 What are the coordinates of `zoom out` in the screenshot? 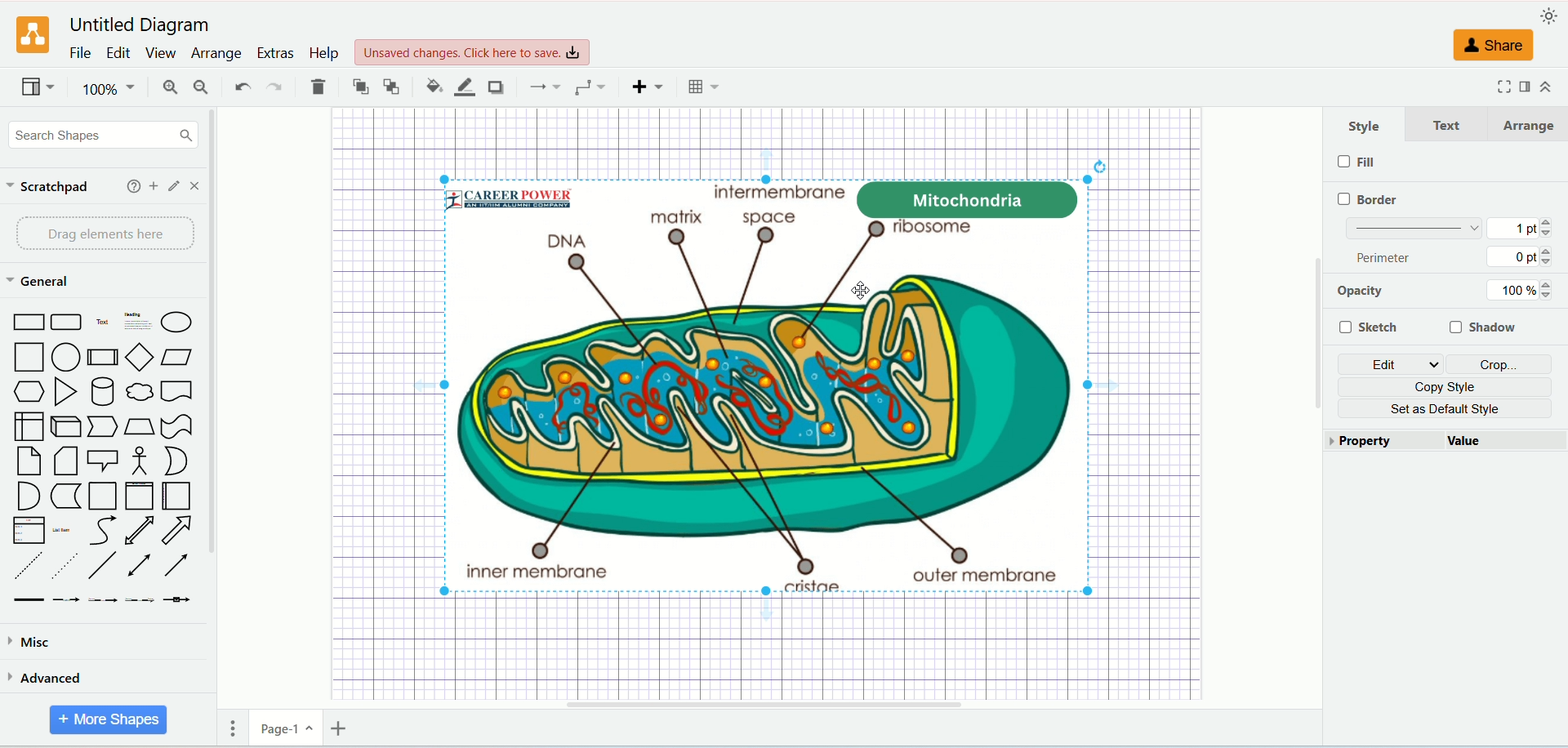 It's located at (198, 89).